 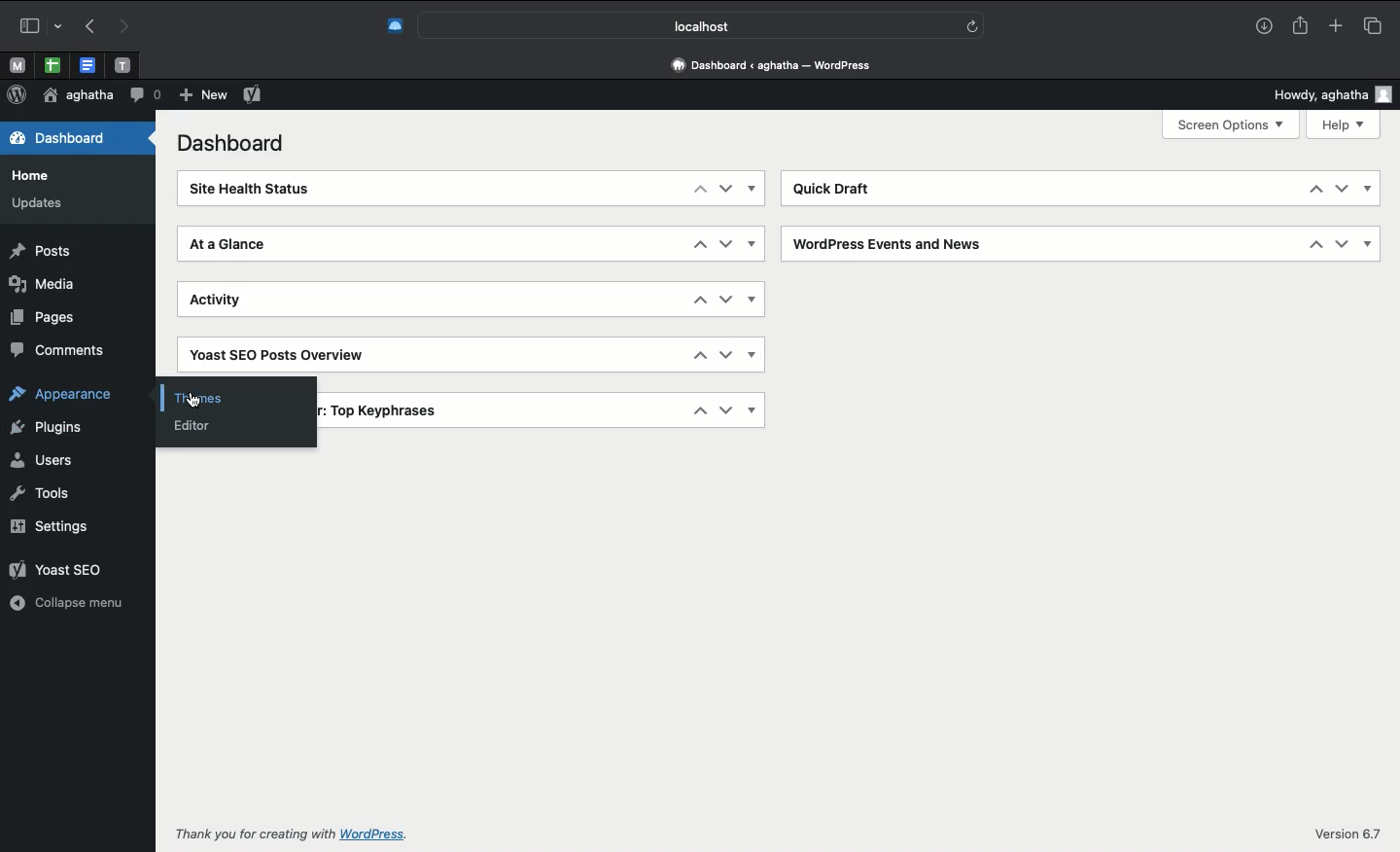 What do you see at coordinates (726, 243) in the screenshot?
I see `Down` at bounding box center [726, 243].